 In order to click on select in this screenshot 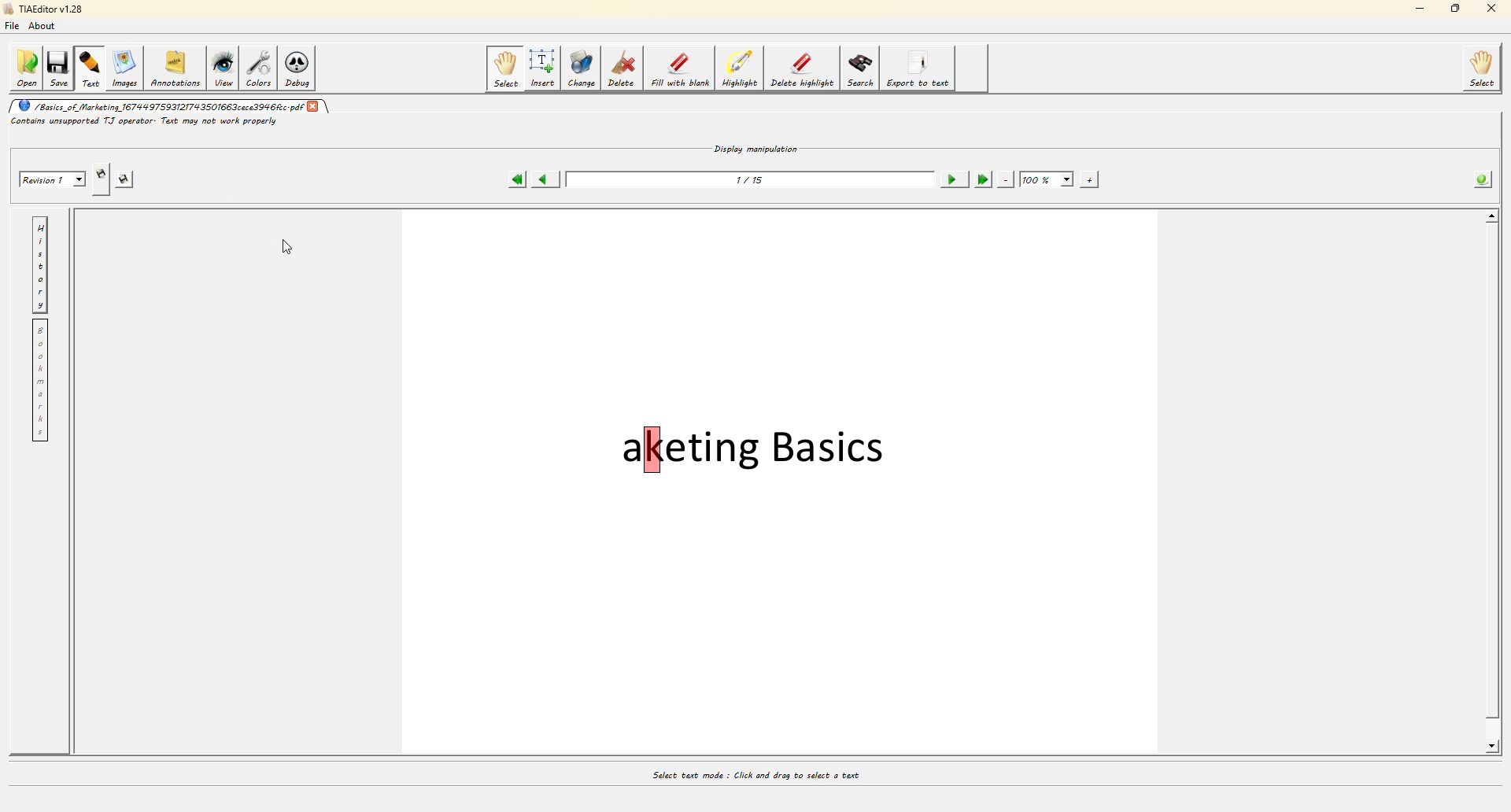, I will do `click(1483, 69)`.